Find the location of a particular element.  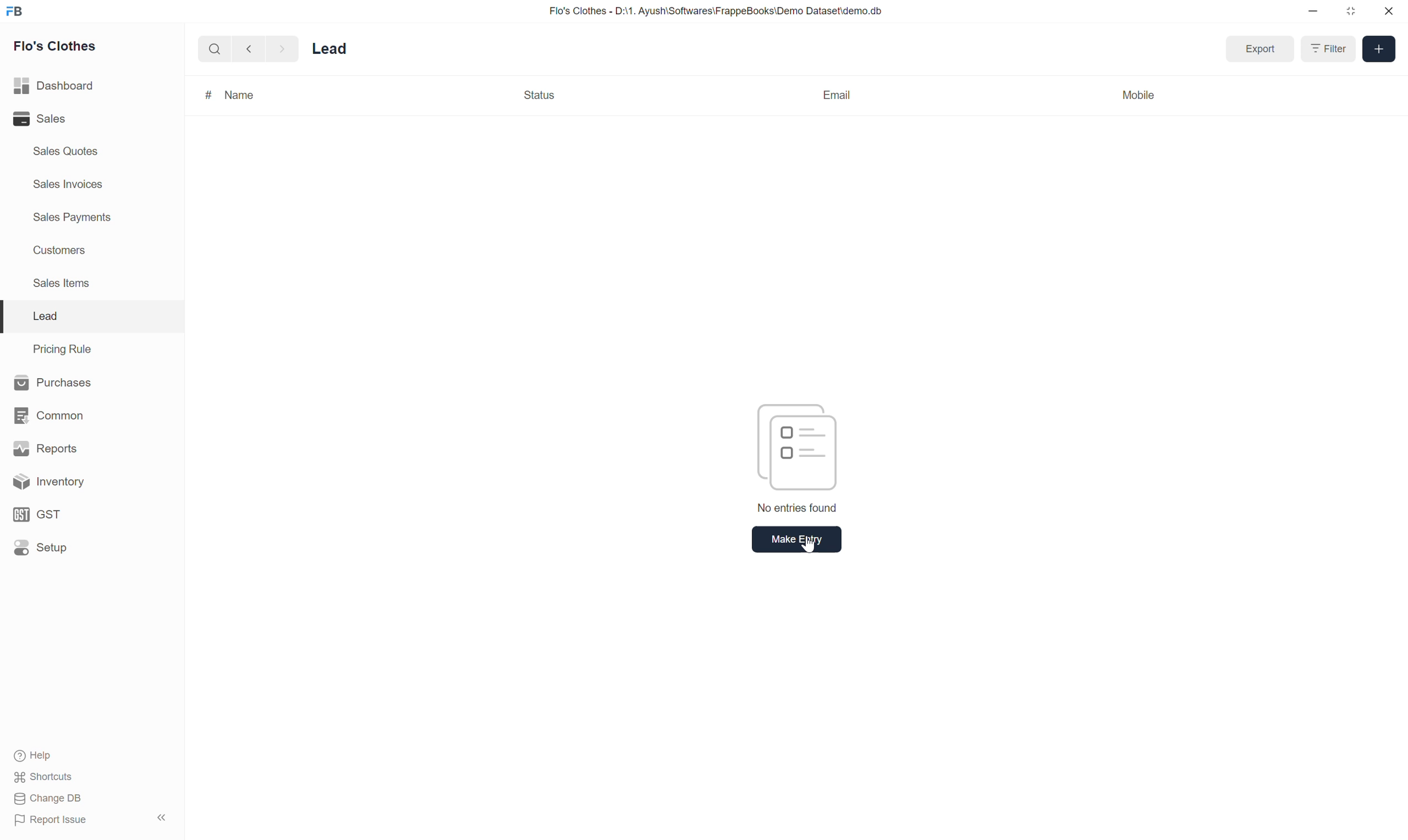

 Reports is located at coordinates (41, 447).